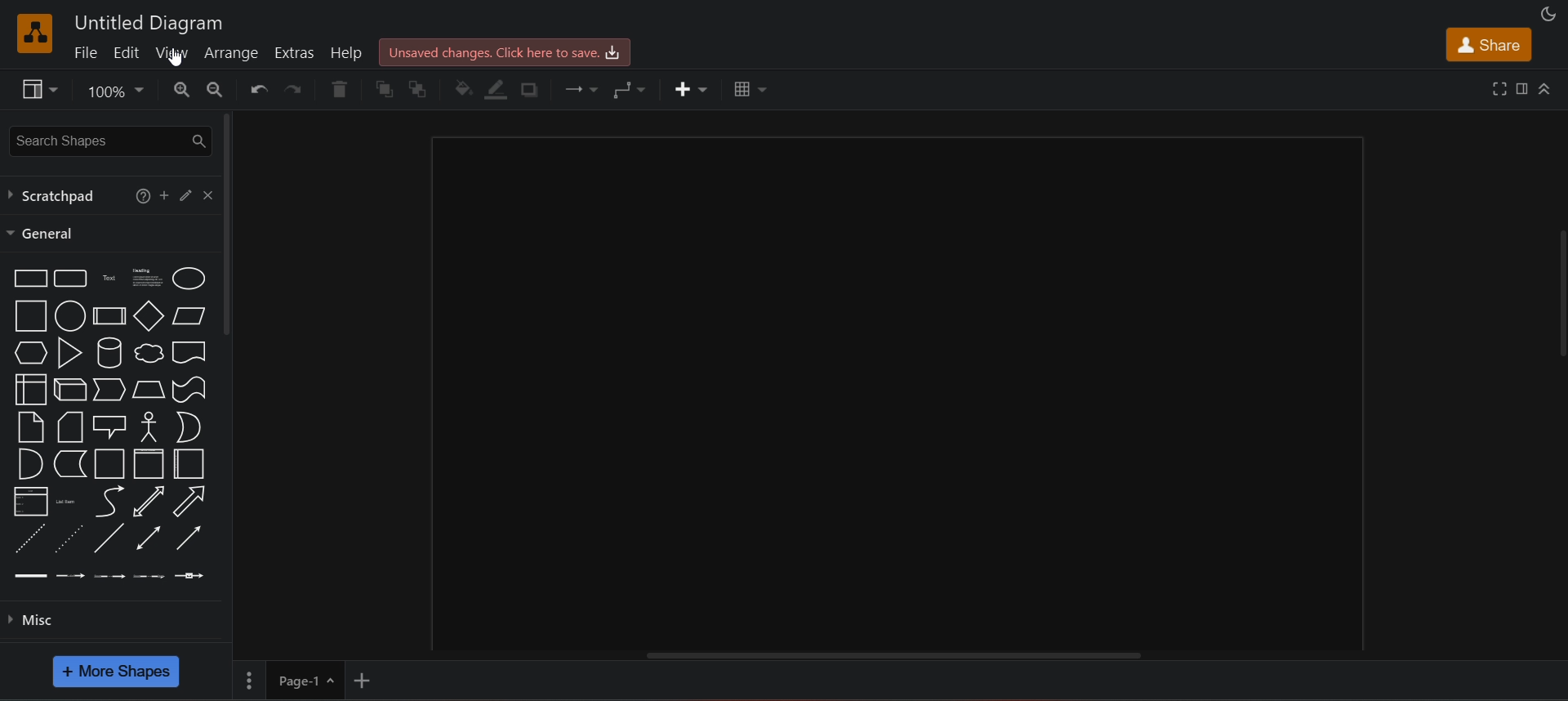 The height and width of the screenshot is (701, 1568). What do you see at coordinates (140, 194) in the screenshot?
I see `help` at bounding box center [140, 194].